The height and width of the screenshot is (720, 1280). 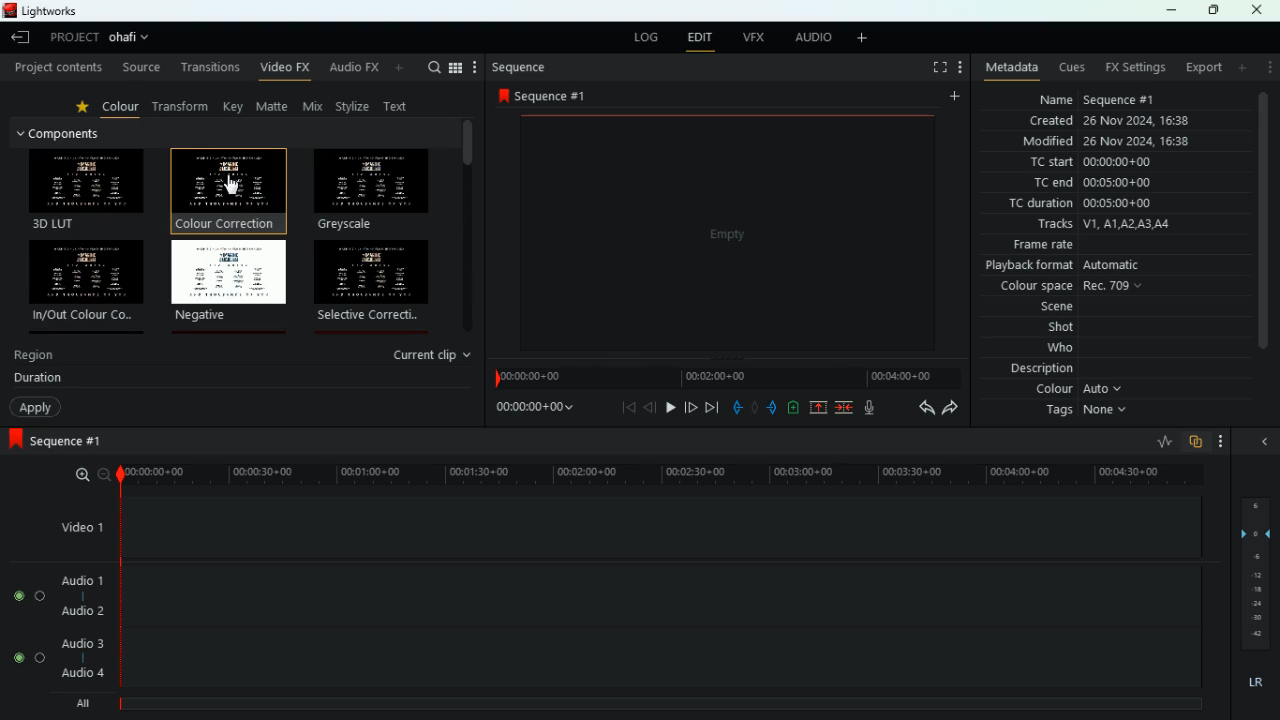 What do you see at coordinates (78, 526) in the screenshot?
I see `video 1` at bounding box center [78, 526].